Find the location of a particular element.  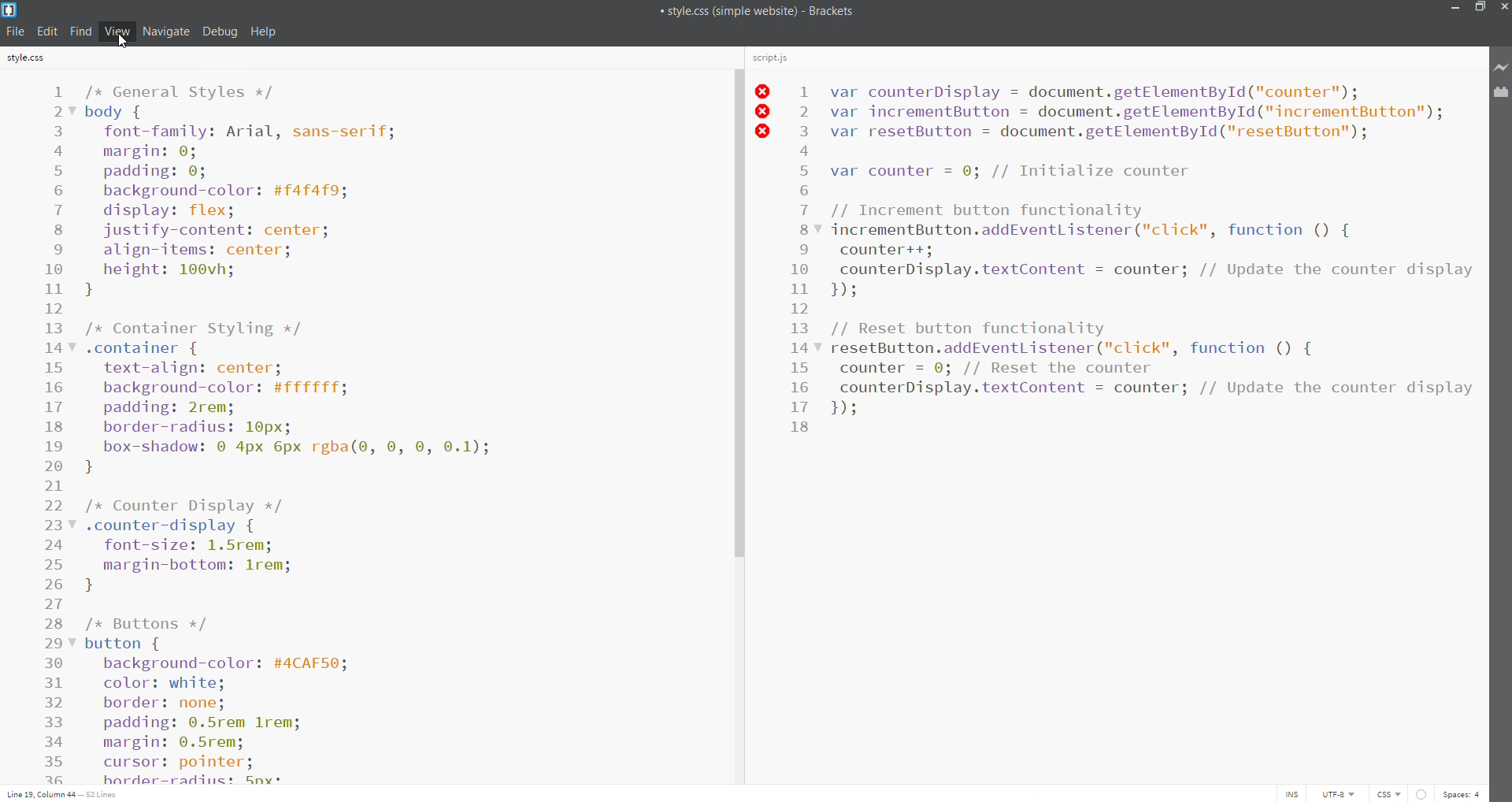

navigate is located at coordinates (164, 31).